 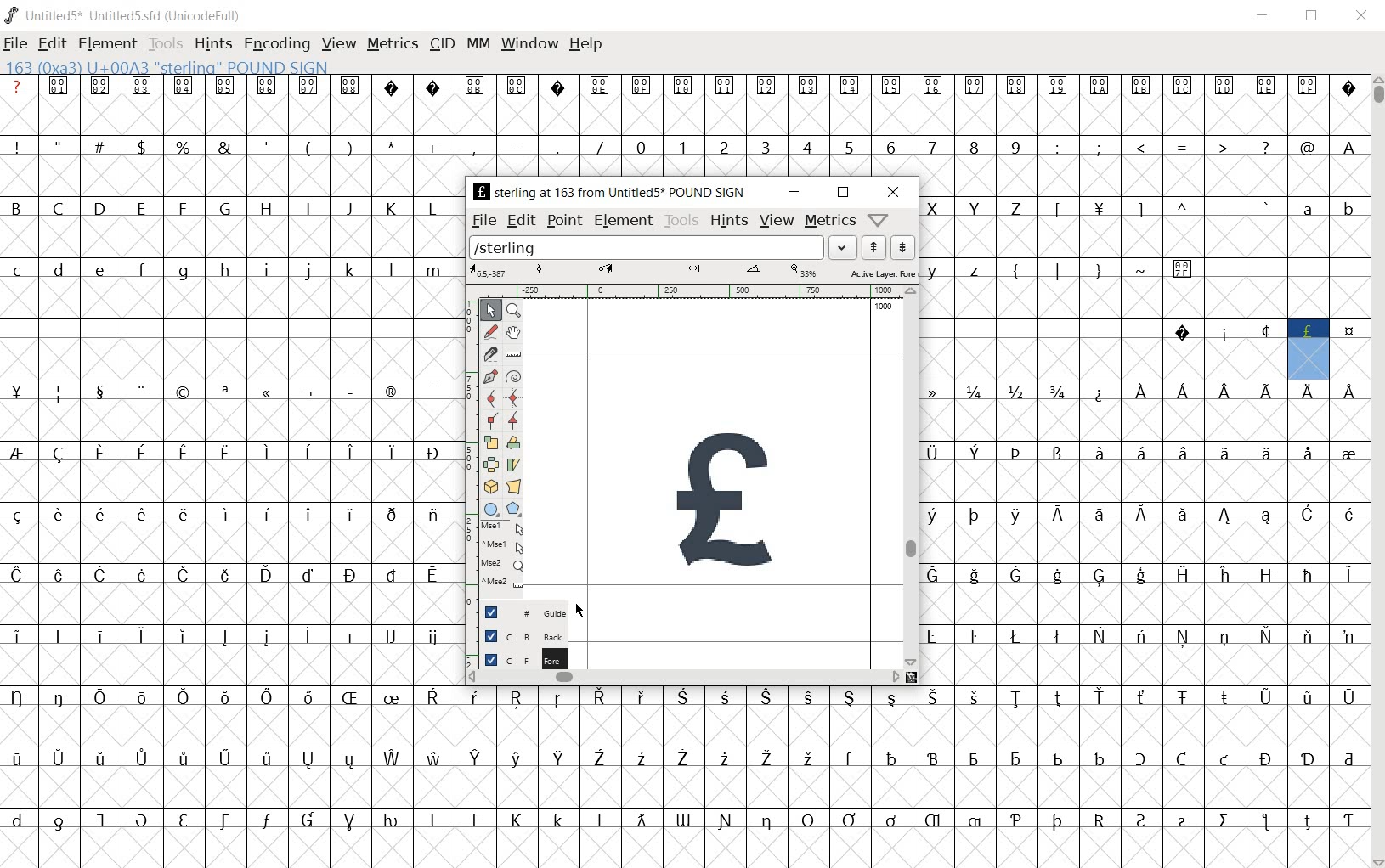 I want to click on Symbol, so click(x=1015, y=758).